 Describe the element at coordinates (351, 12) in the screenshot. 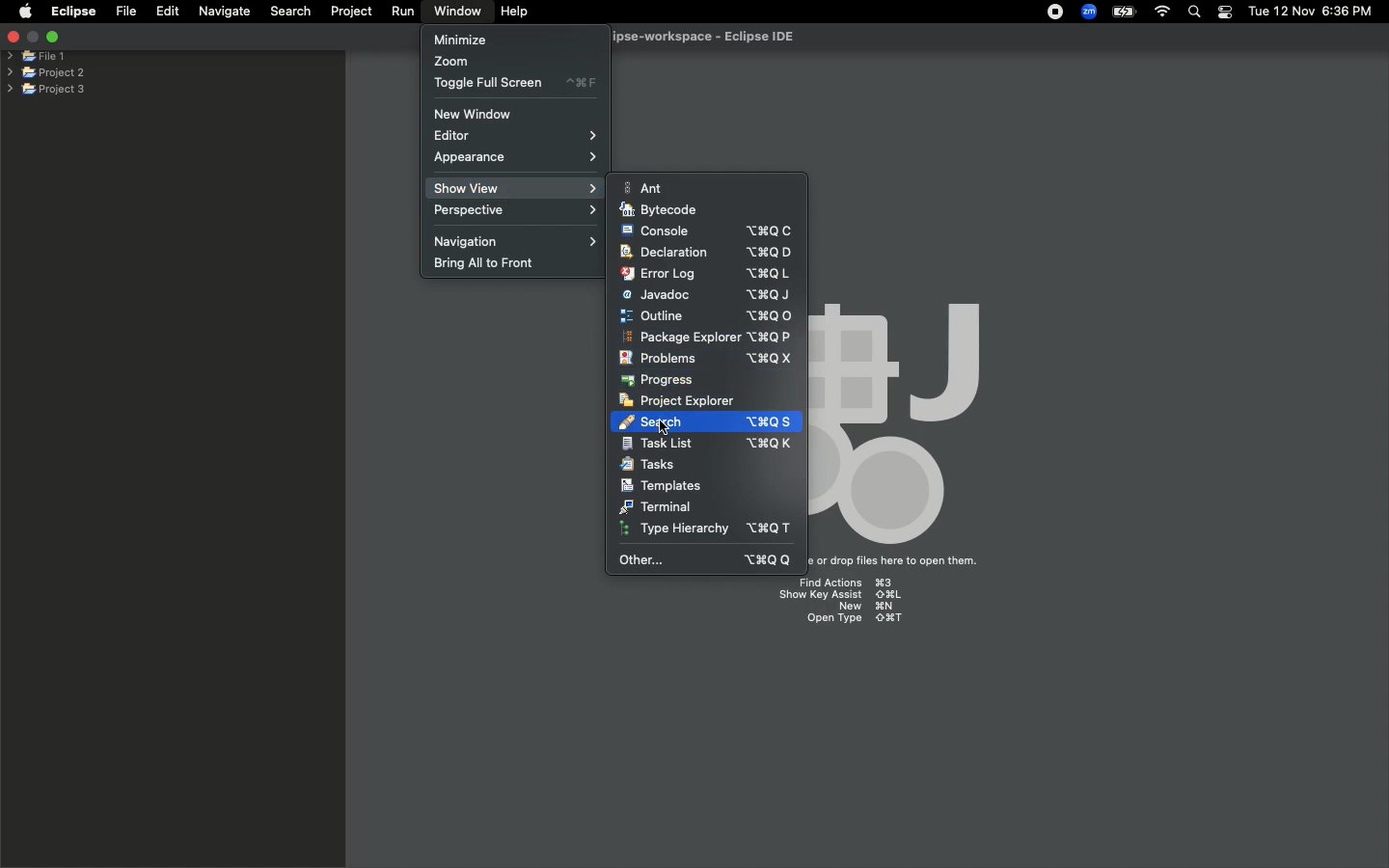

I see `Project` at that location.